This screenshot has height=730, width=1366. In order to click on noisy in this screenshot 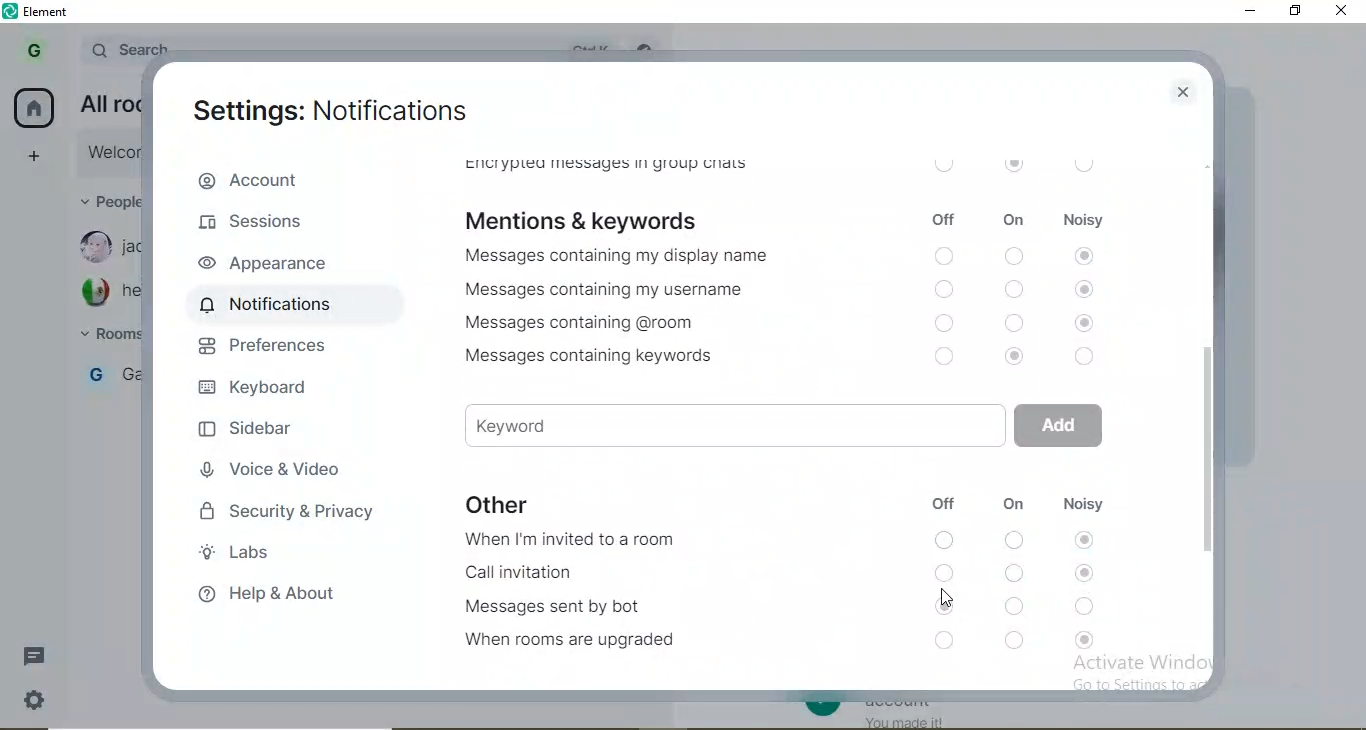, I will do `click(1094, 219)`.